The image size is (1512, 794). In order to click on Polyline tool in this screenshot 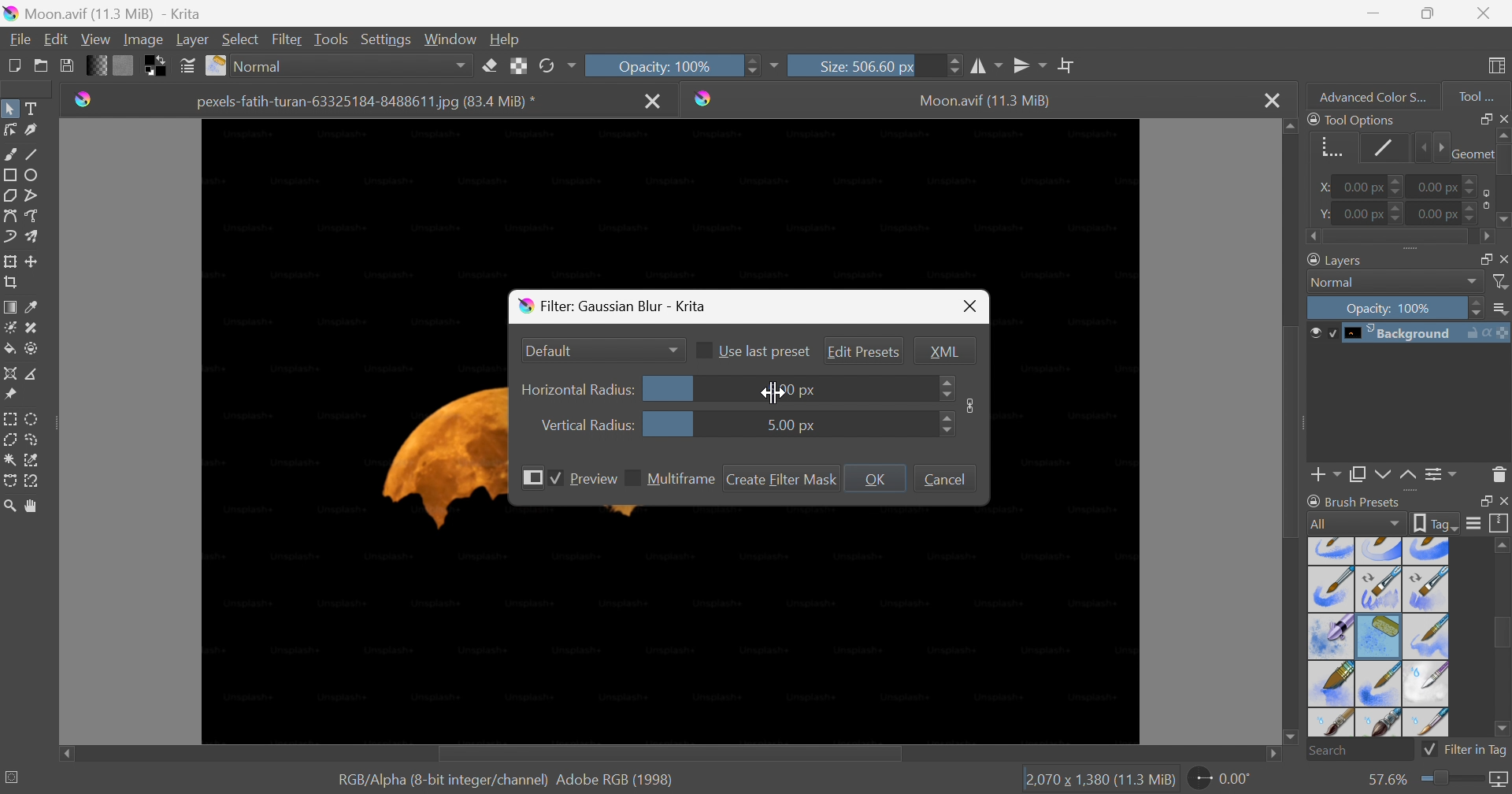, I will do `click(34, 195)`.